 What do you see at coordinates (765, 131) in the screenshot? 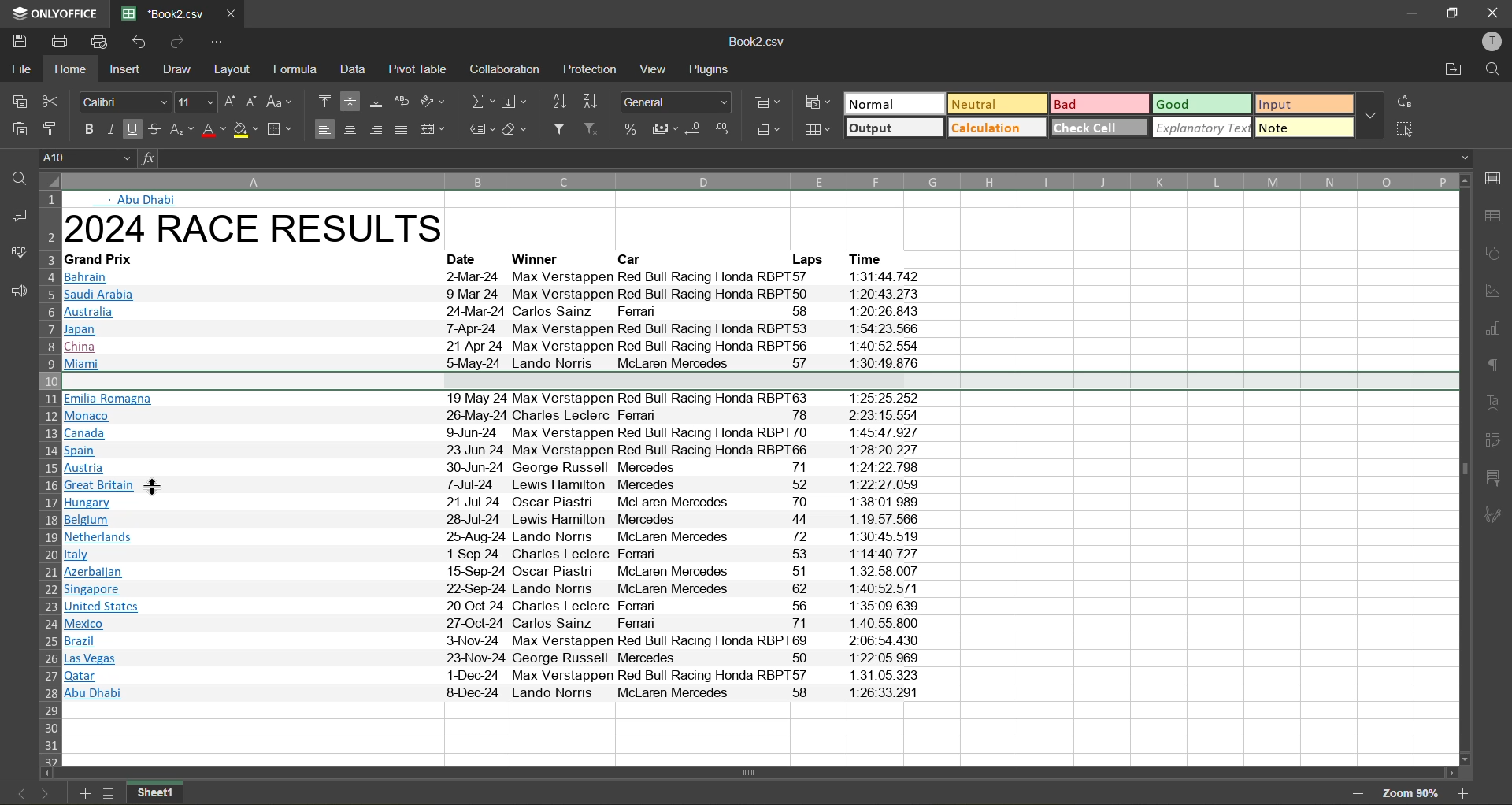
I see `delete cells` at bounding box center [765, 131].